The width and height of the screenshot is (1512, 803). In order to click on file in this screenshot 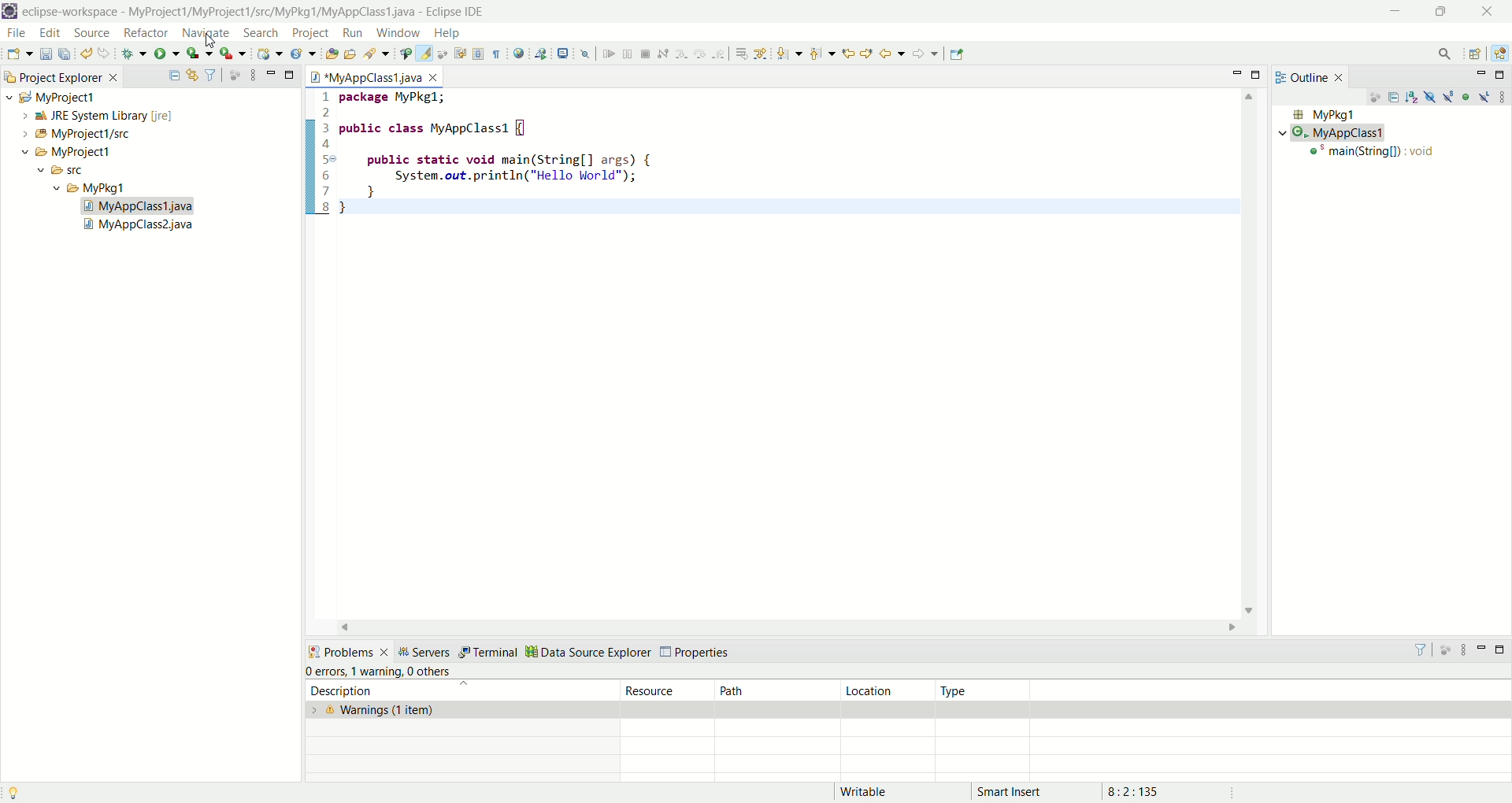, I will do `click(20, 35)`.